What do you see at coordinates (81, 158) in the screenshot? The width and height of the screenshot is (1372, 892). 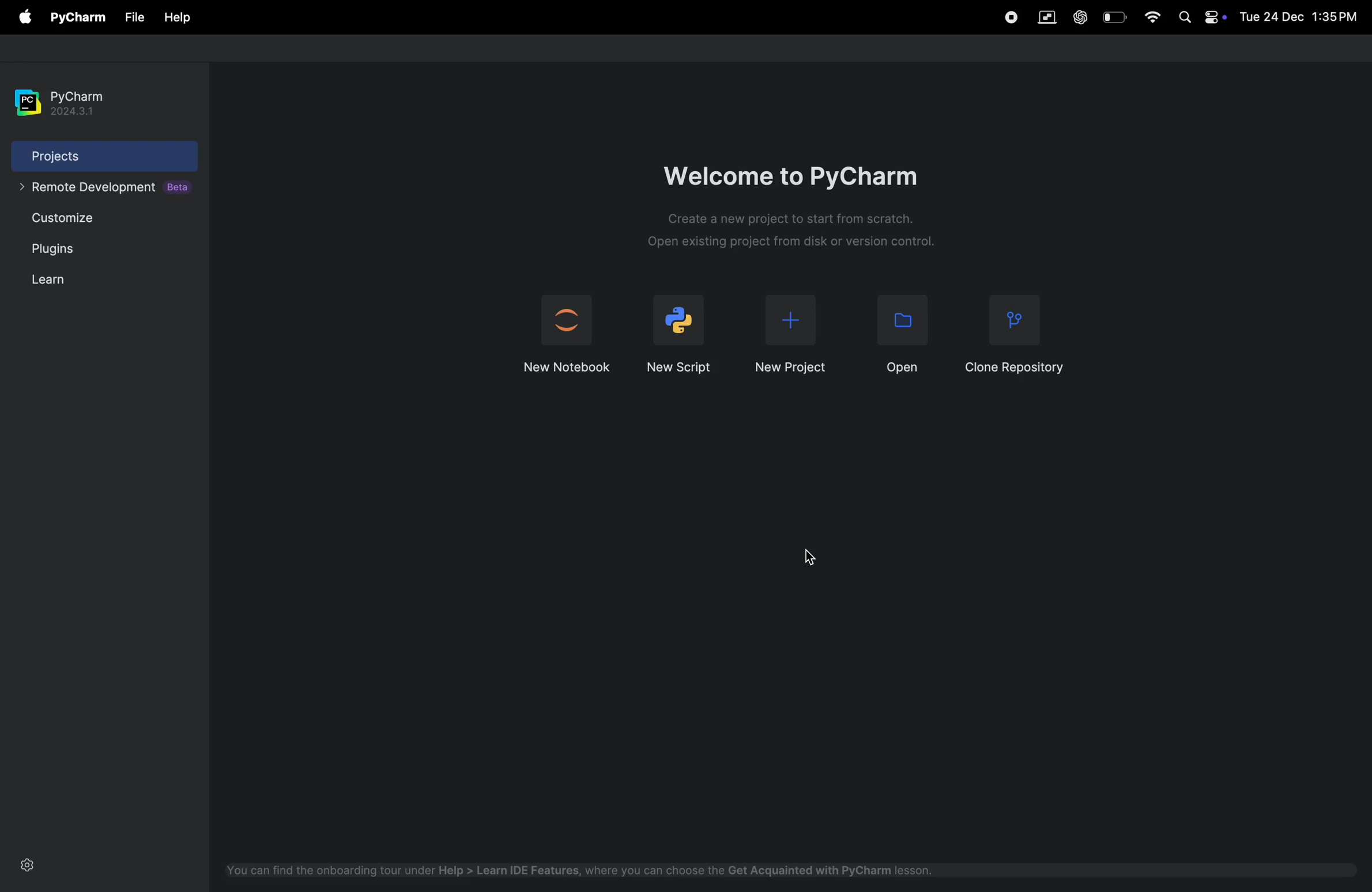 I see `projects` at bounding box center [81, 158].